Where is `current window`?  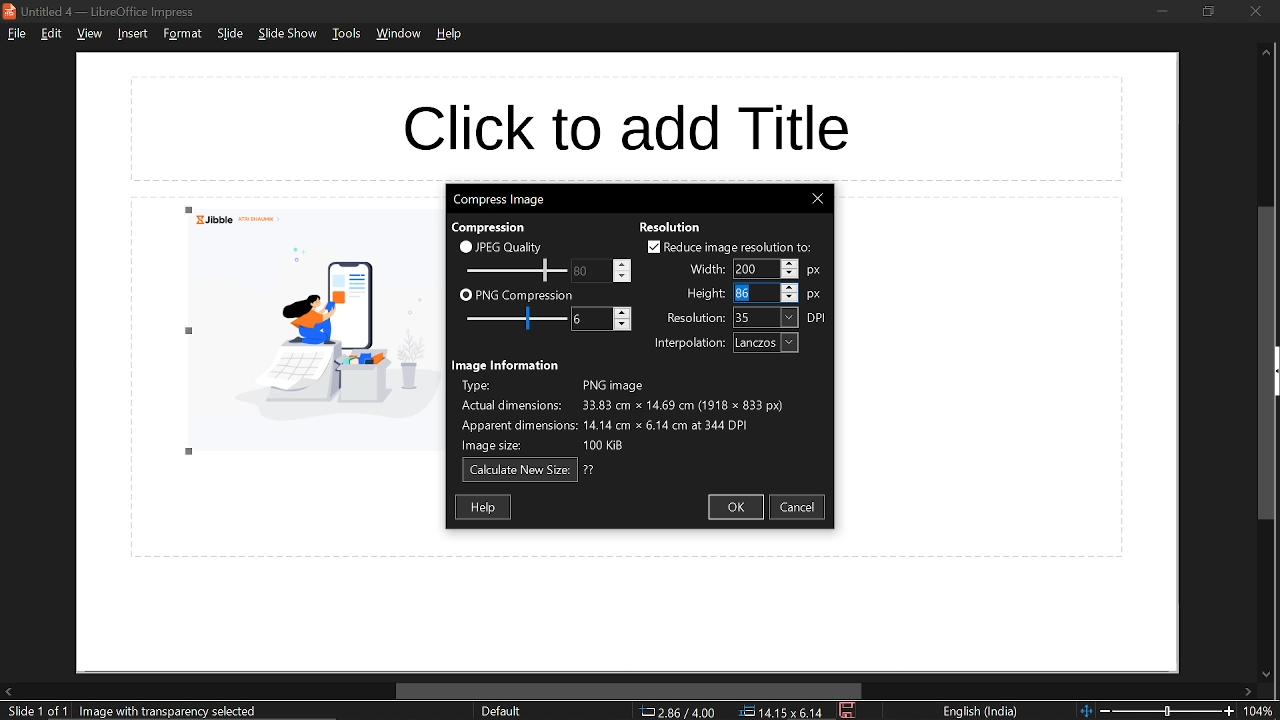
current window is located at coordinates (498, 198).